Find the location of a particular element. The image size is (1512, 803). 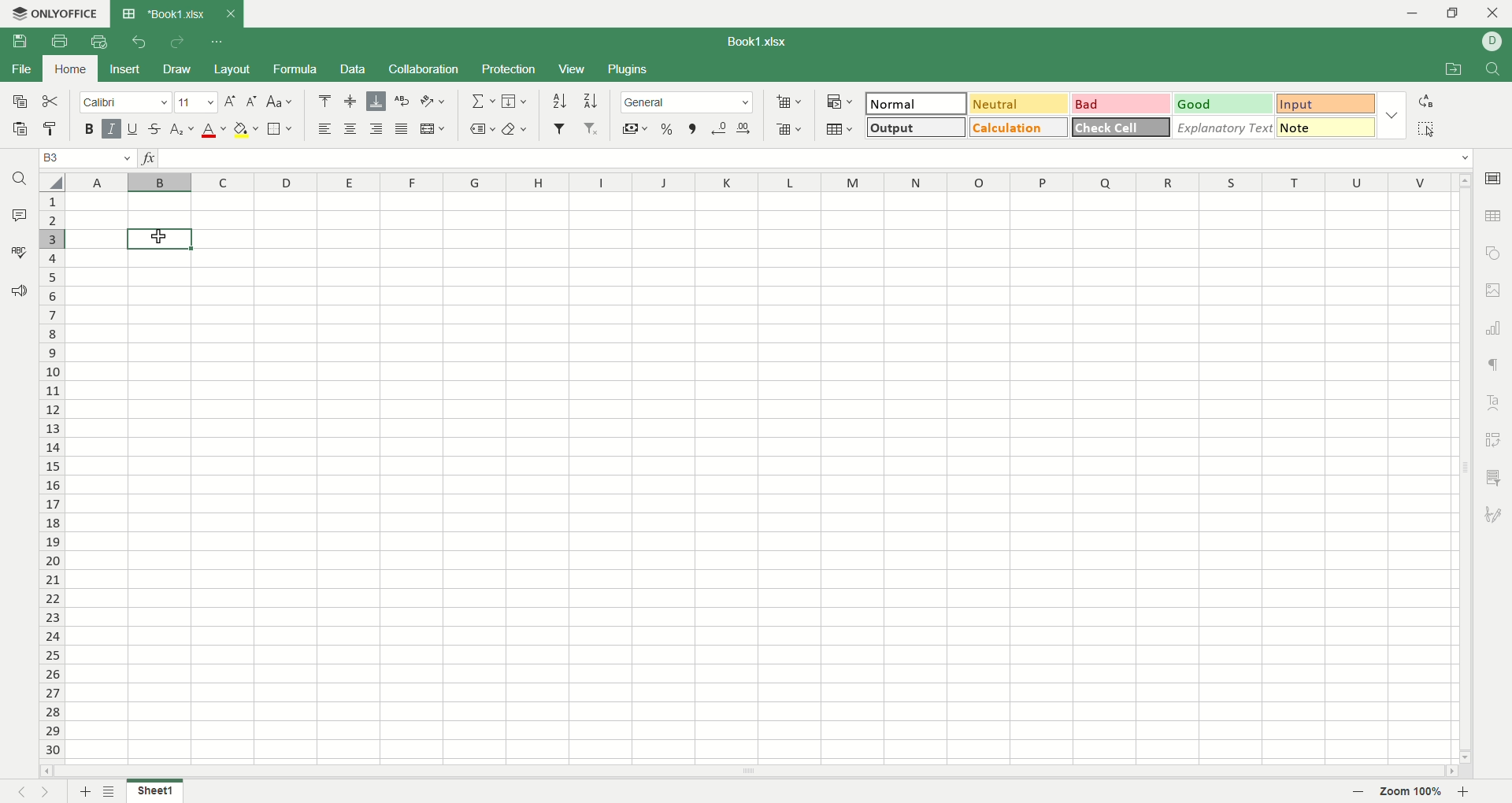

find is located at coordinates (18, 178).